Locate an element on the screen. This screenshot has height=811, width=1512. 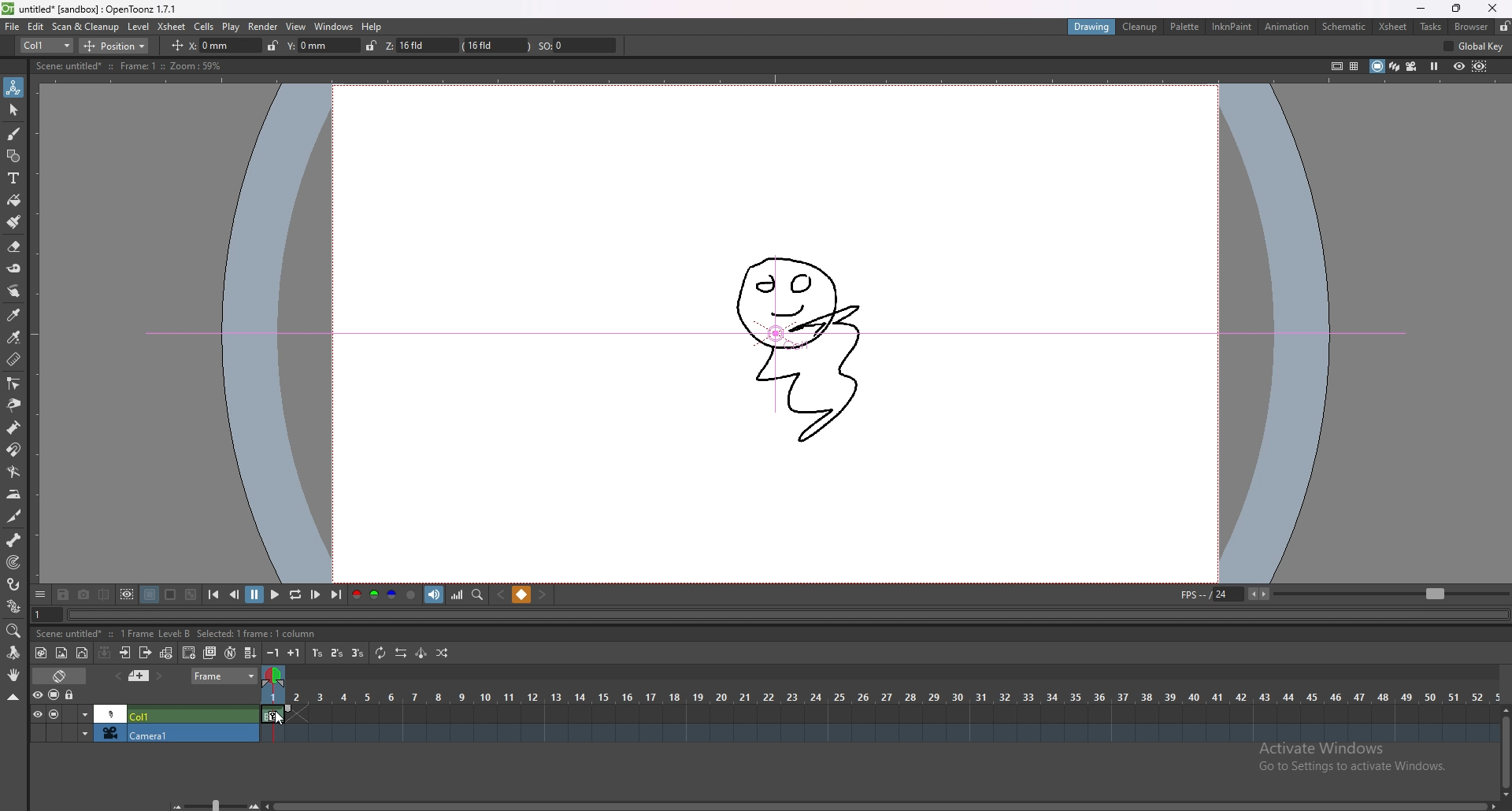
save is located at coordinates (65, 594).